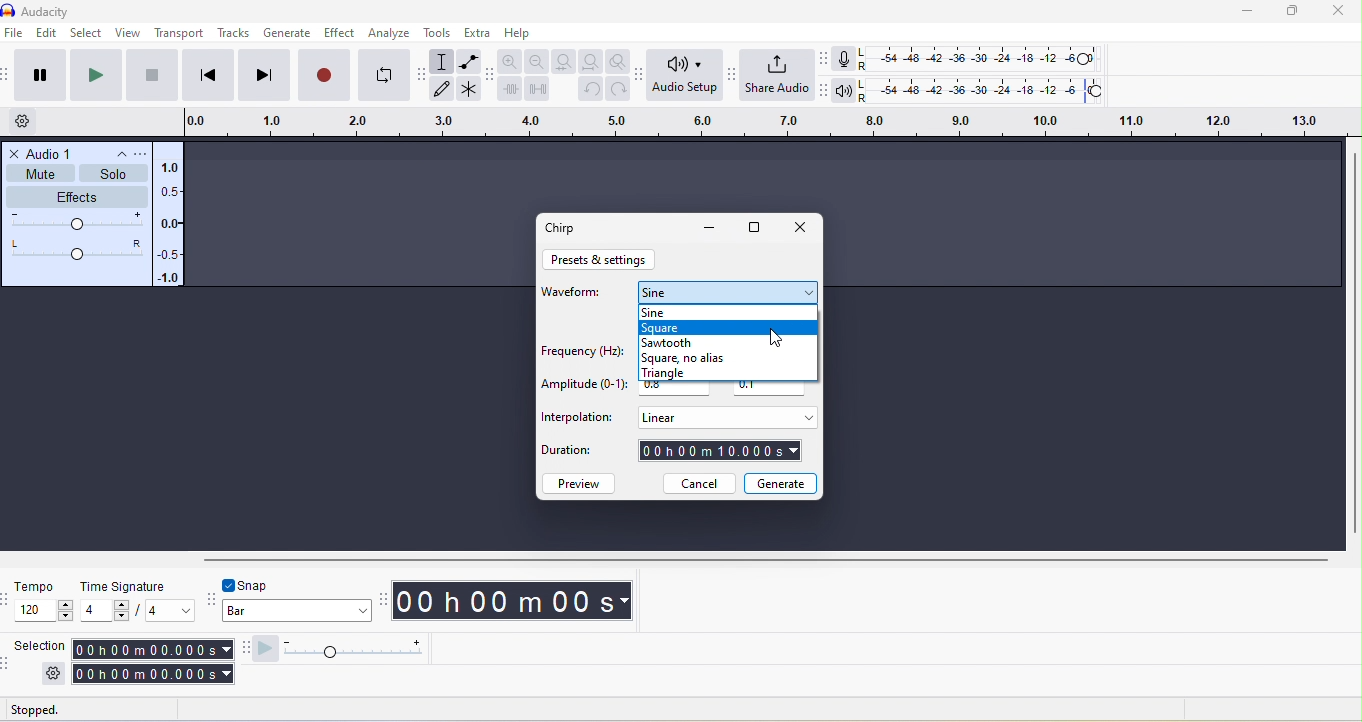 The height and width of the screenshot is (722, 1362). I want to click on enable looping, so click(384, 73).